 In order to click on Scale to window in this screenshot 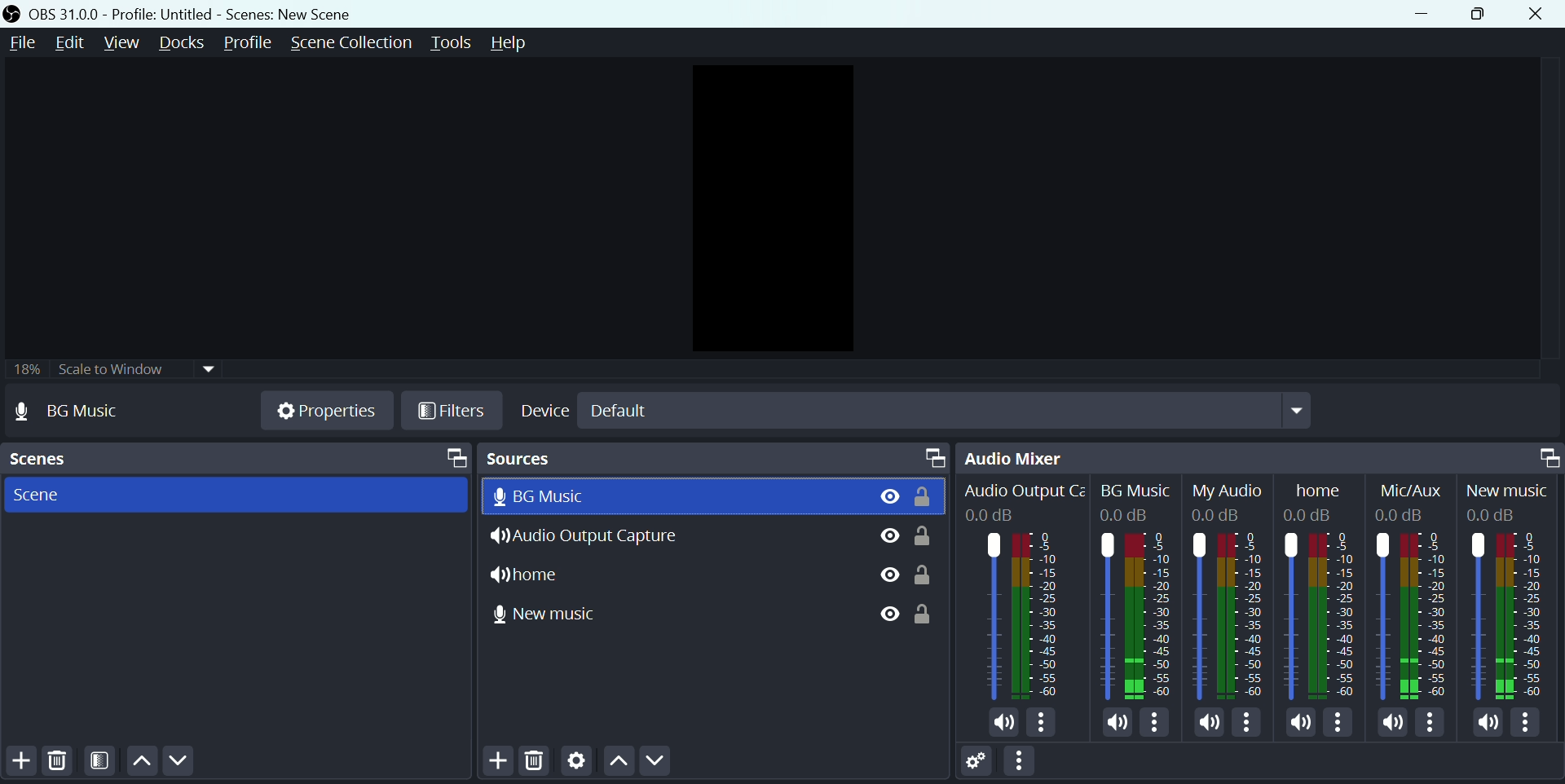, I will do `click(136, 368)`.